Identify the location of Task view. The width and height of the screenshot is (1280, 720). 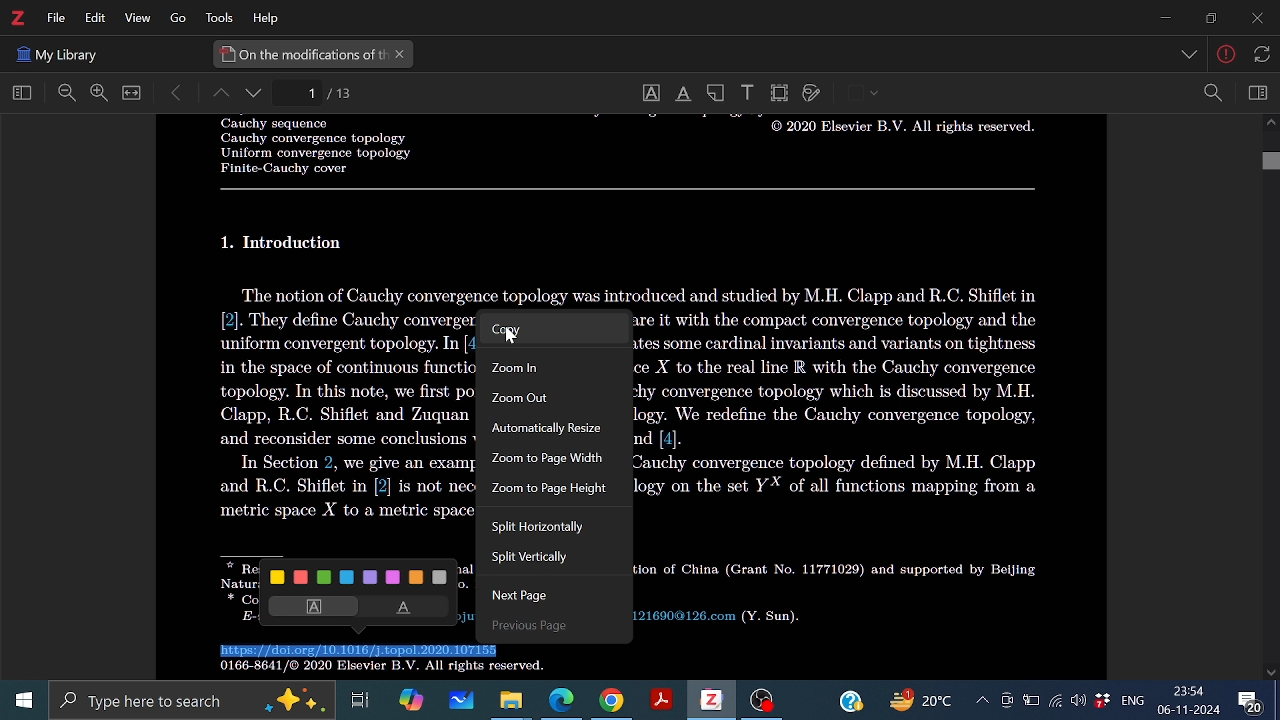
(361, 700).